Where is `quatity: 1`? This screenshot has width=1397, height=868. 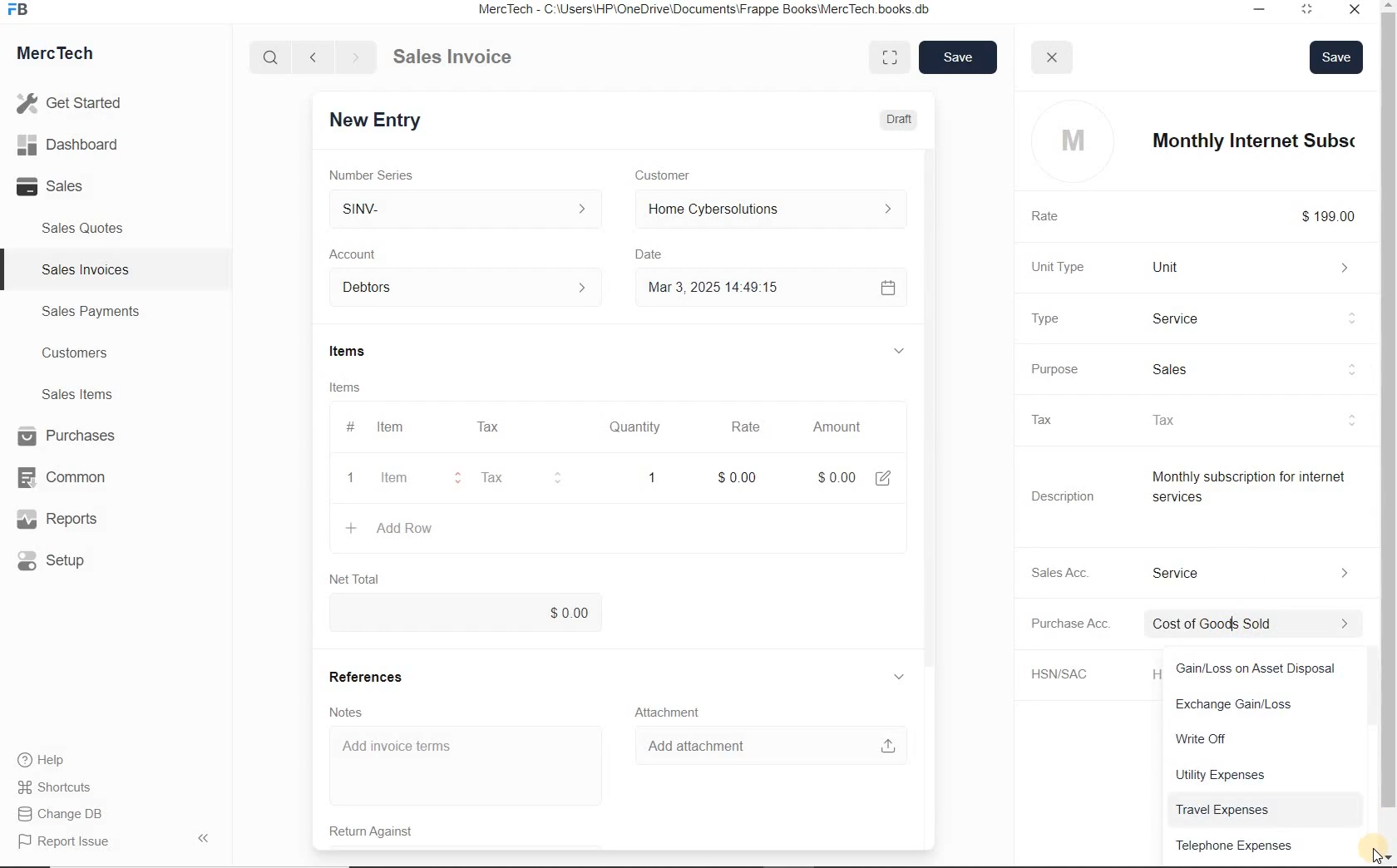 quatity: 1 is located at coordinates (652, 476).